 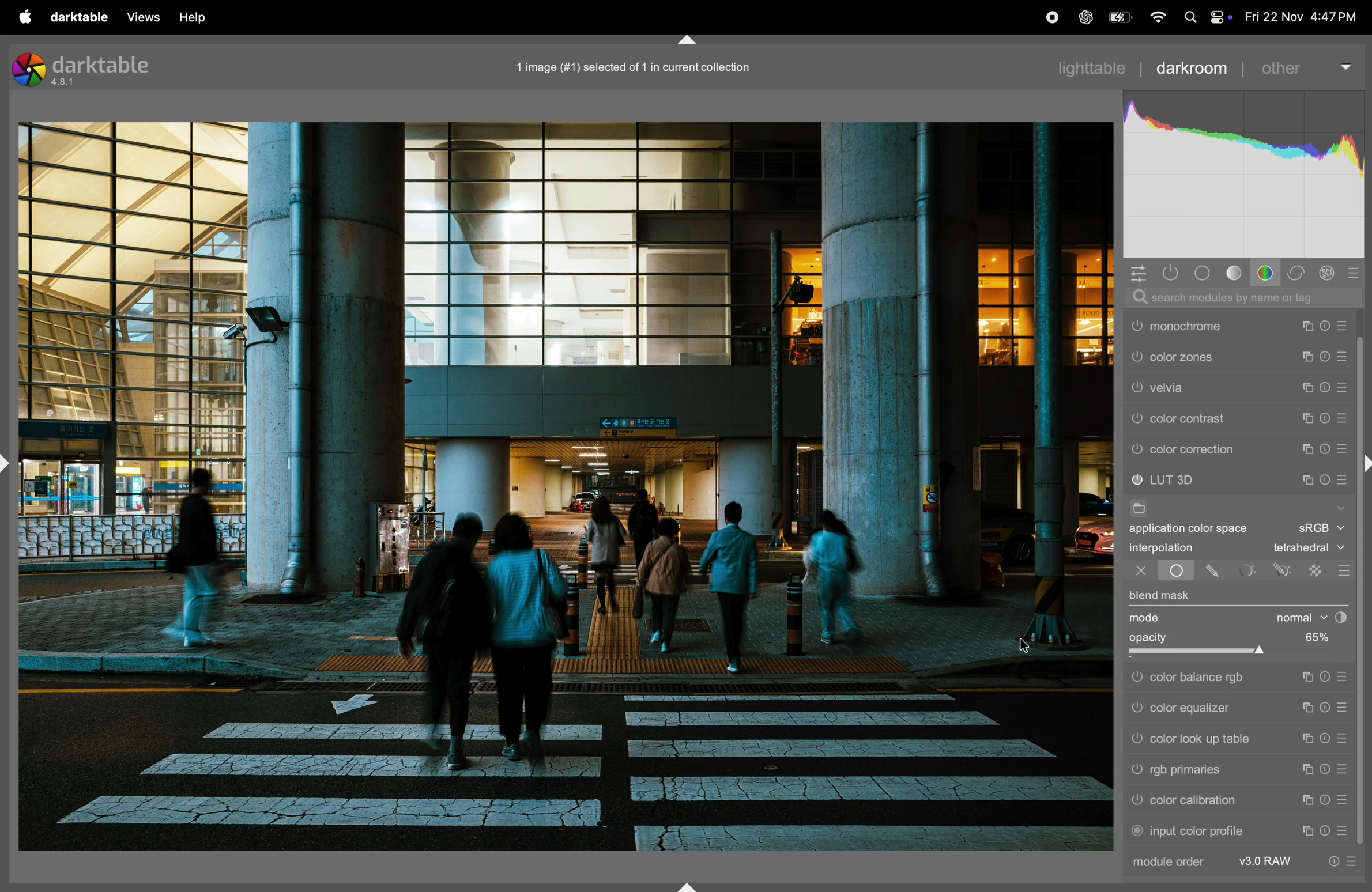 I want to click on presets, so click(x=1343, y=322).